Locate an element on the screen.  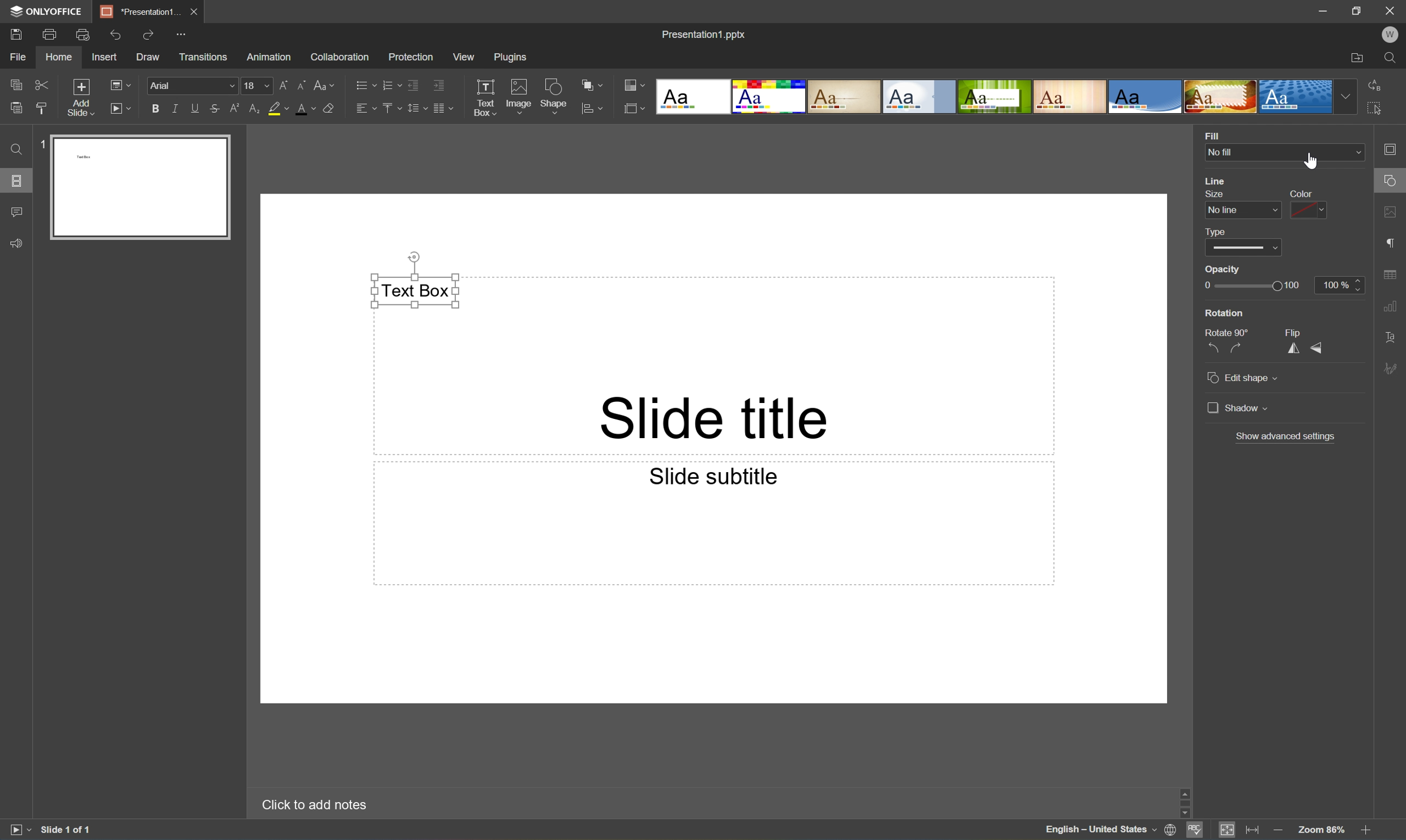
Print file is located at coordinates (50, 33).